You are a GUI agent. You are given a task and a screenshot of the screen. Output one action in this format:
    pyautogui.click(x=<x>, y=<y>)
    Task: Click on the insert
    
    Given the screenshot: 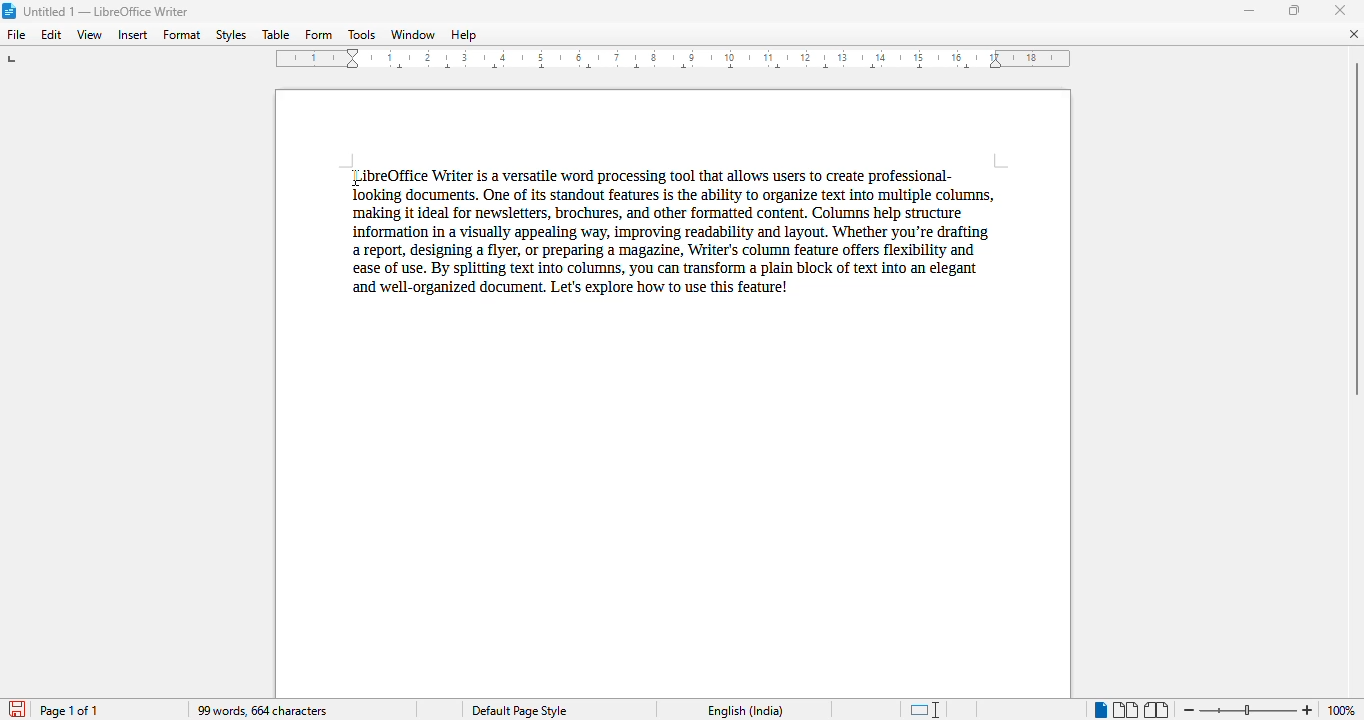 What is the action you would take?
    pyautogui.click(x=133, y=35)
    